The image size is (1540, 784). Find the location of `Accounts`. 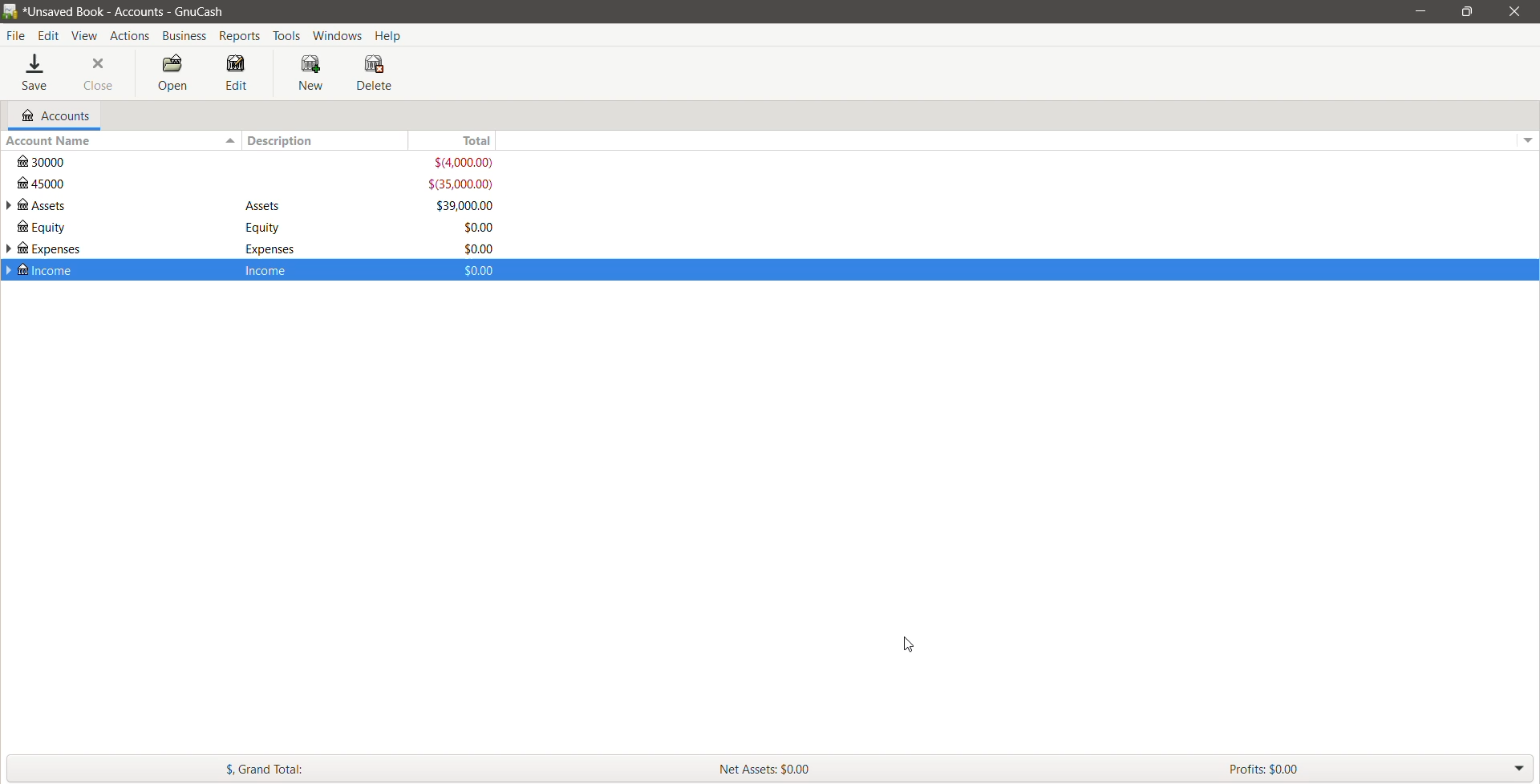

Accounts is located at coordinates (128, 35).